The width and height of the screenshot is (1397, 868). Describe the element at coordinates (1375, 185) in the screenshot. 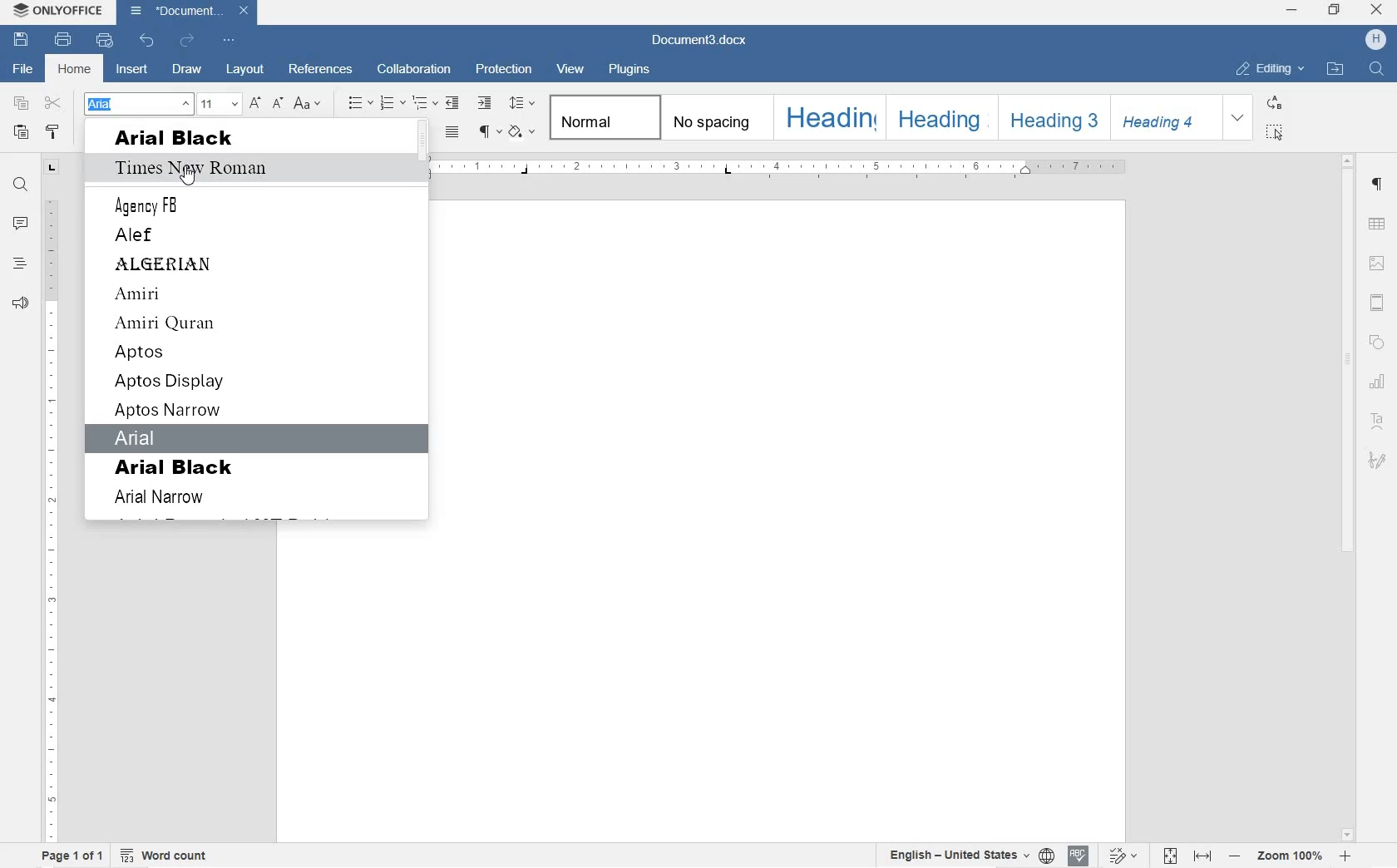

I see `PARAGRAPH SETTINGS` at that location.